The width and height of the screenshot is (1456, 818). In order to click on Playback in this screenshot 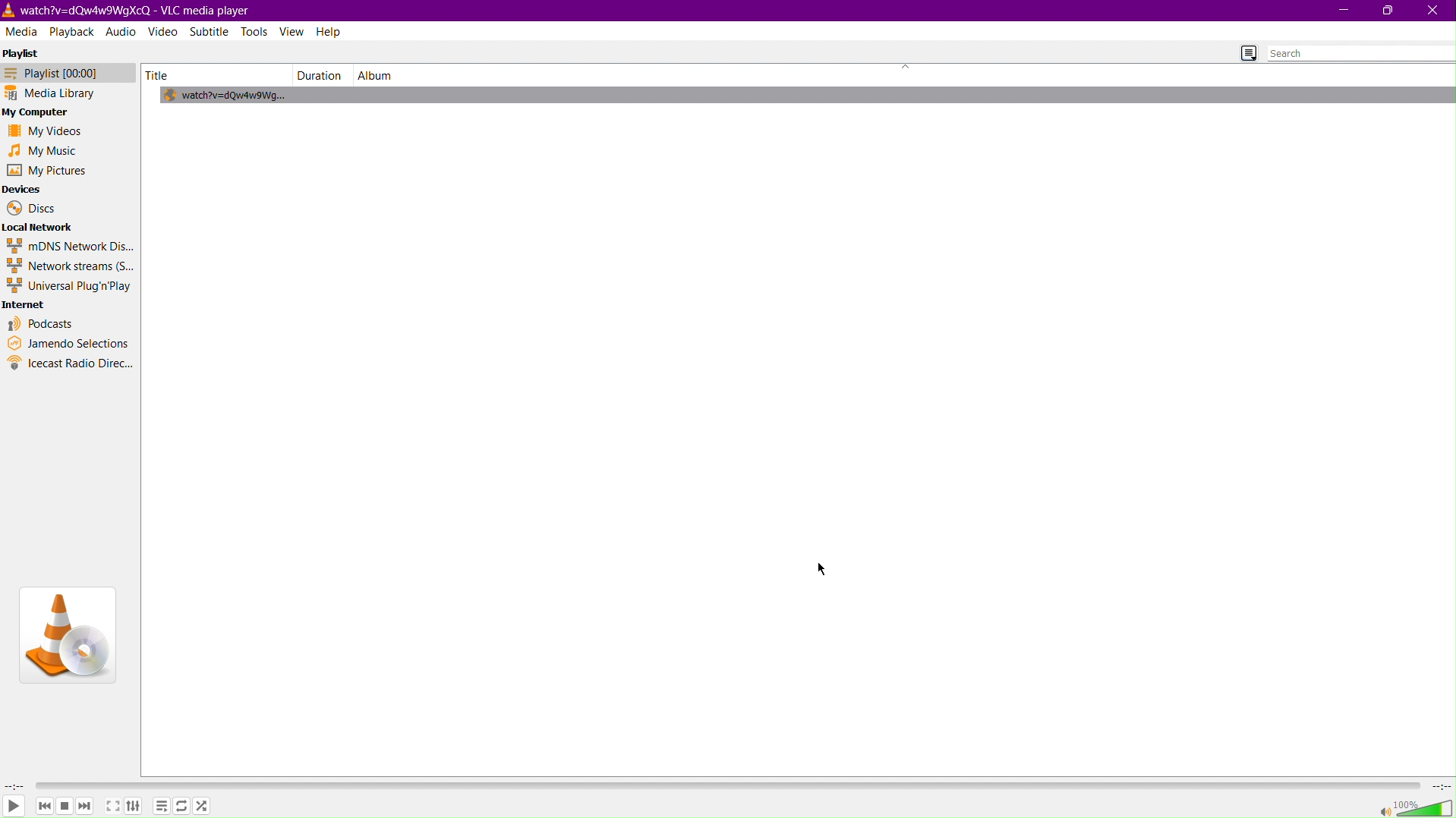, I will do `click(73, 32)`.